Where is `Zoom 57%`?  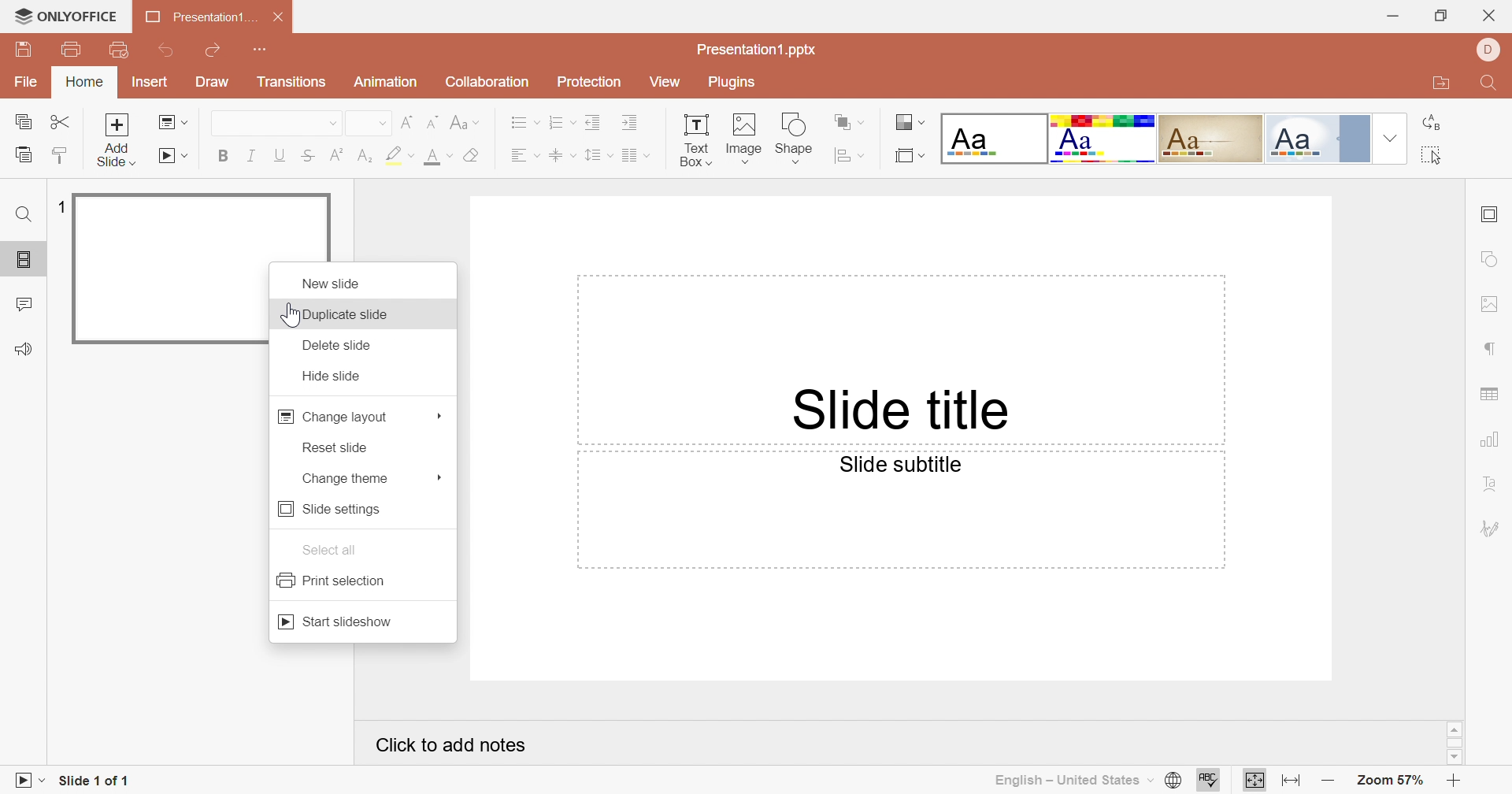 Zoom 57% is located at coordinates (1389, 781).